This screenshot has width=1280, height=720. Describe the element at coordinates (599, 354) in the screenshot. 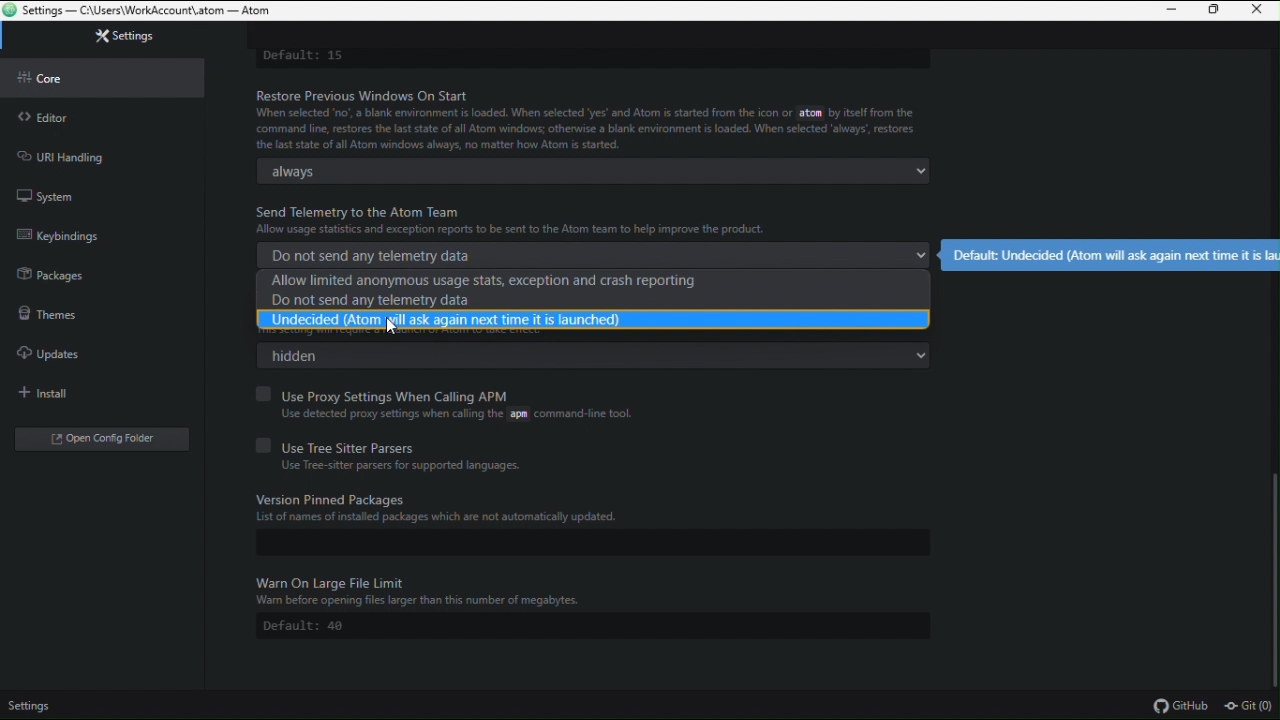

I see `hidden` at that location.